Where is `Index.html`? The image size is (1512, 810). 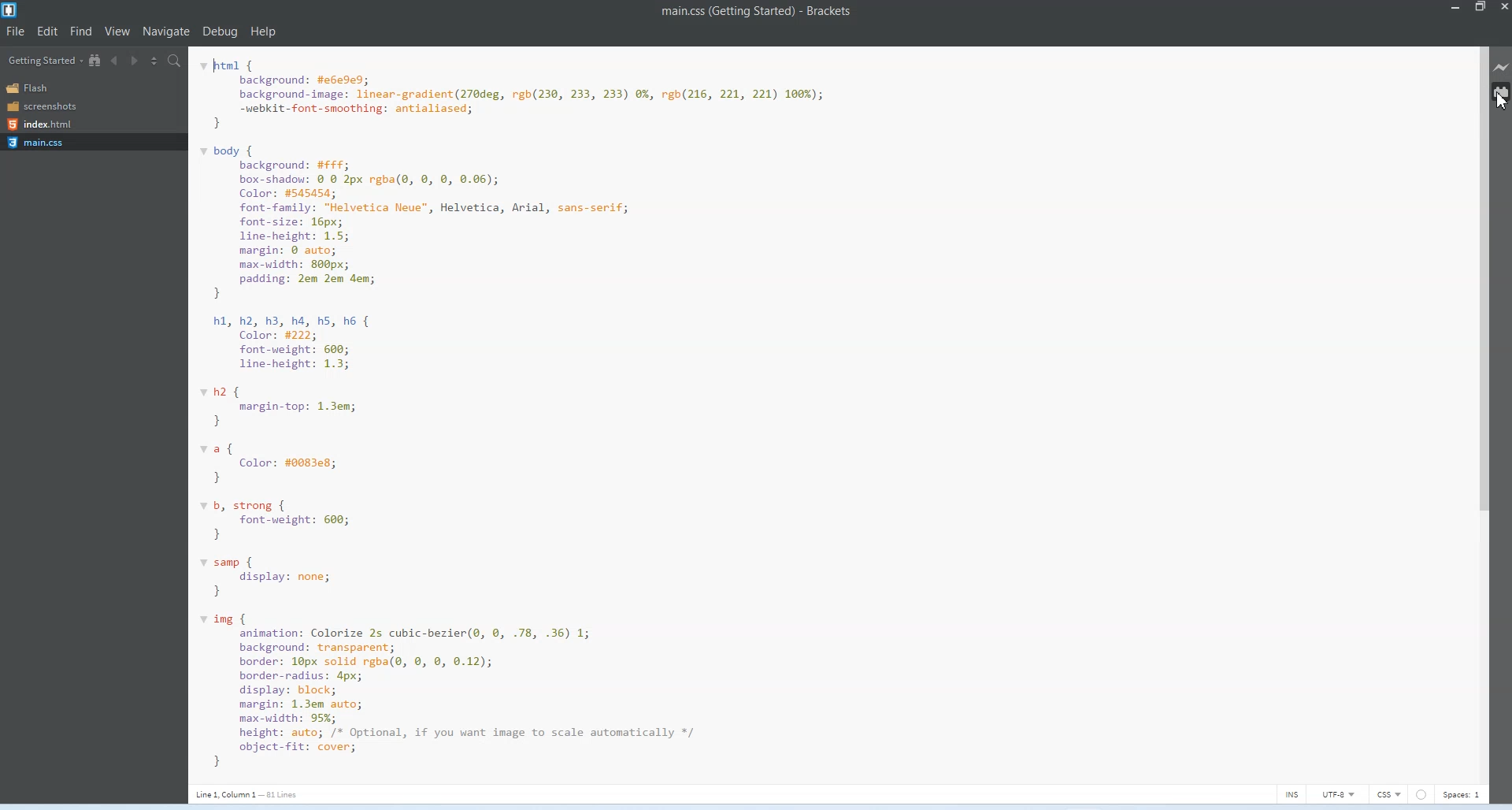
Index.html is located at coordinates (39, 125).